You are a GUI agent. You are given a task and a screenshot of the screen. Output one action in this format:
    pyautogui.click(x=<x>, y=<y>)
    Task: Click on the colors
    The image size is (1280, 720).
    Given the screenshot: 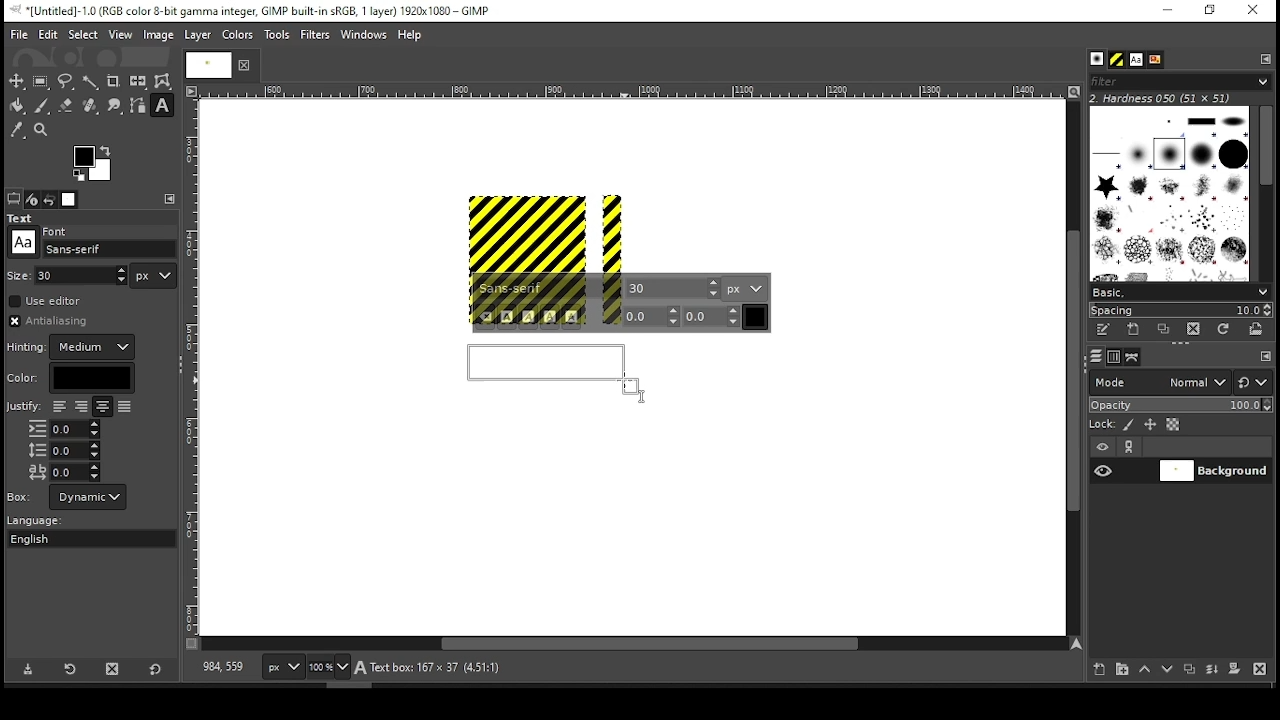 What is the action you would take?
    pyautogui.click(x=93, y=163)
    